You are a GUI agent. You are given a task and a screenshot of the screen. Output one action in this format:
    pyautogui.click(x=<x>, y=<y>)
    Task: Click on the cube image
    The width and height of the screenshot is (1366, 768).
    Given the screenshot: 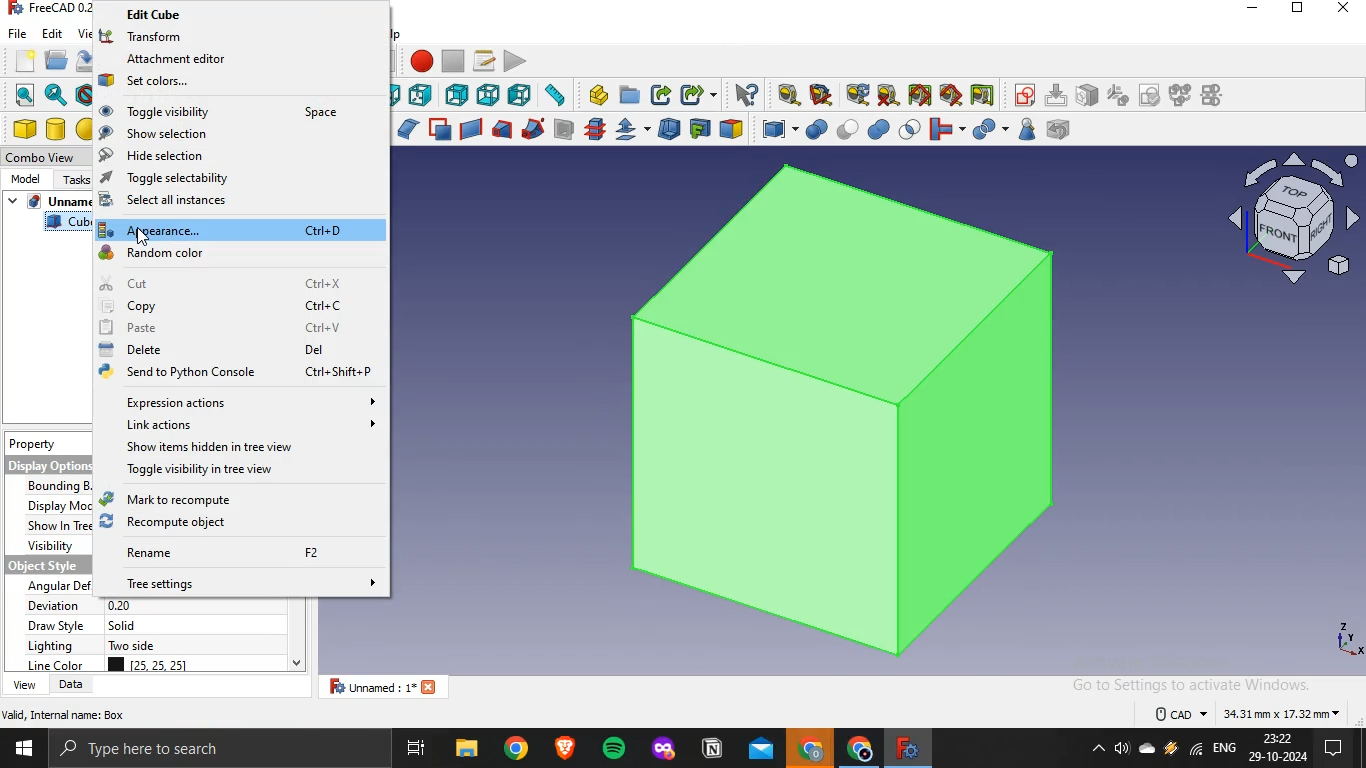 What is the action you would take?
    pyautogui.click(x=848, y=411)
    